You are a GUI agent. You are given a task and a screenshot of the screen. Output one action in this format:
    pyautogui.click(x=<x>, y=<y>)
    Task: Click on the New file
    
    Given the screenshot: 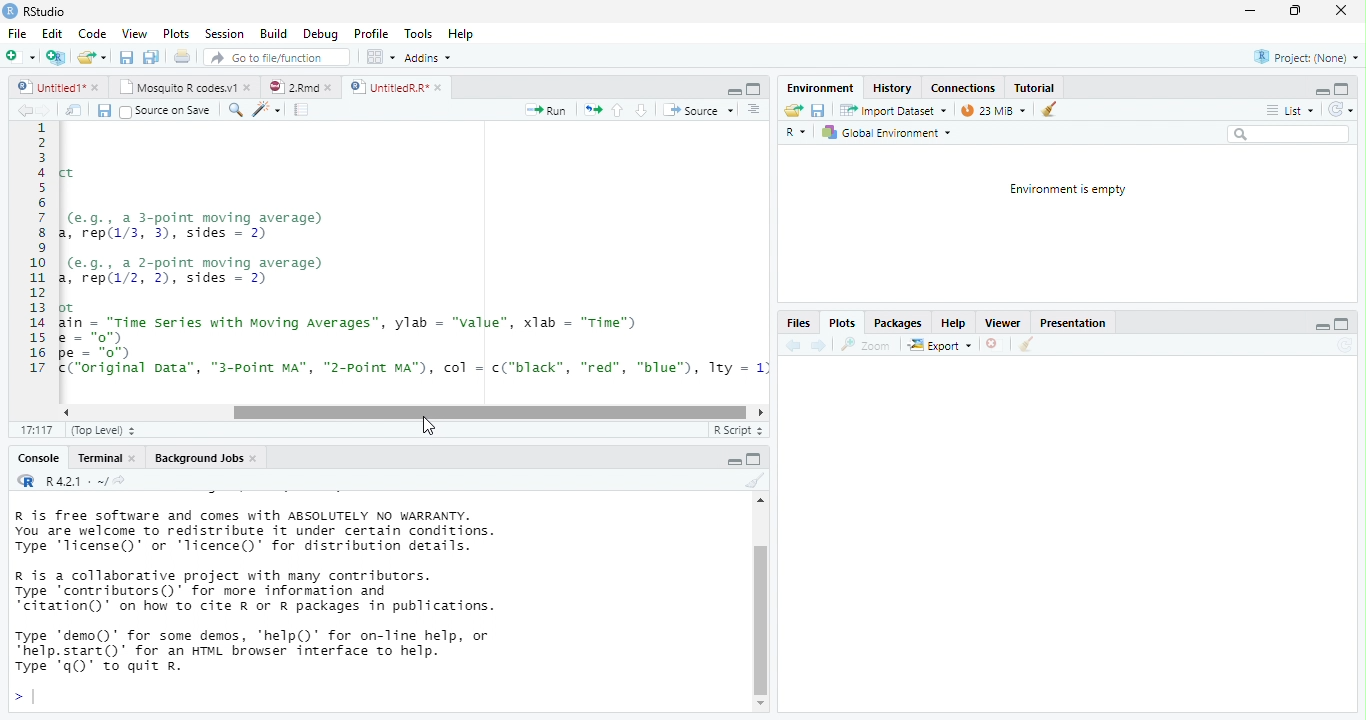 What is the action you would take?
    pyautogui.click(x=19, y=57)
    